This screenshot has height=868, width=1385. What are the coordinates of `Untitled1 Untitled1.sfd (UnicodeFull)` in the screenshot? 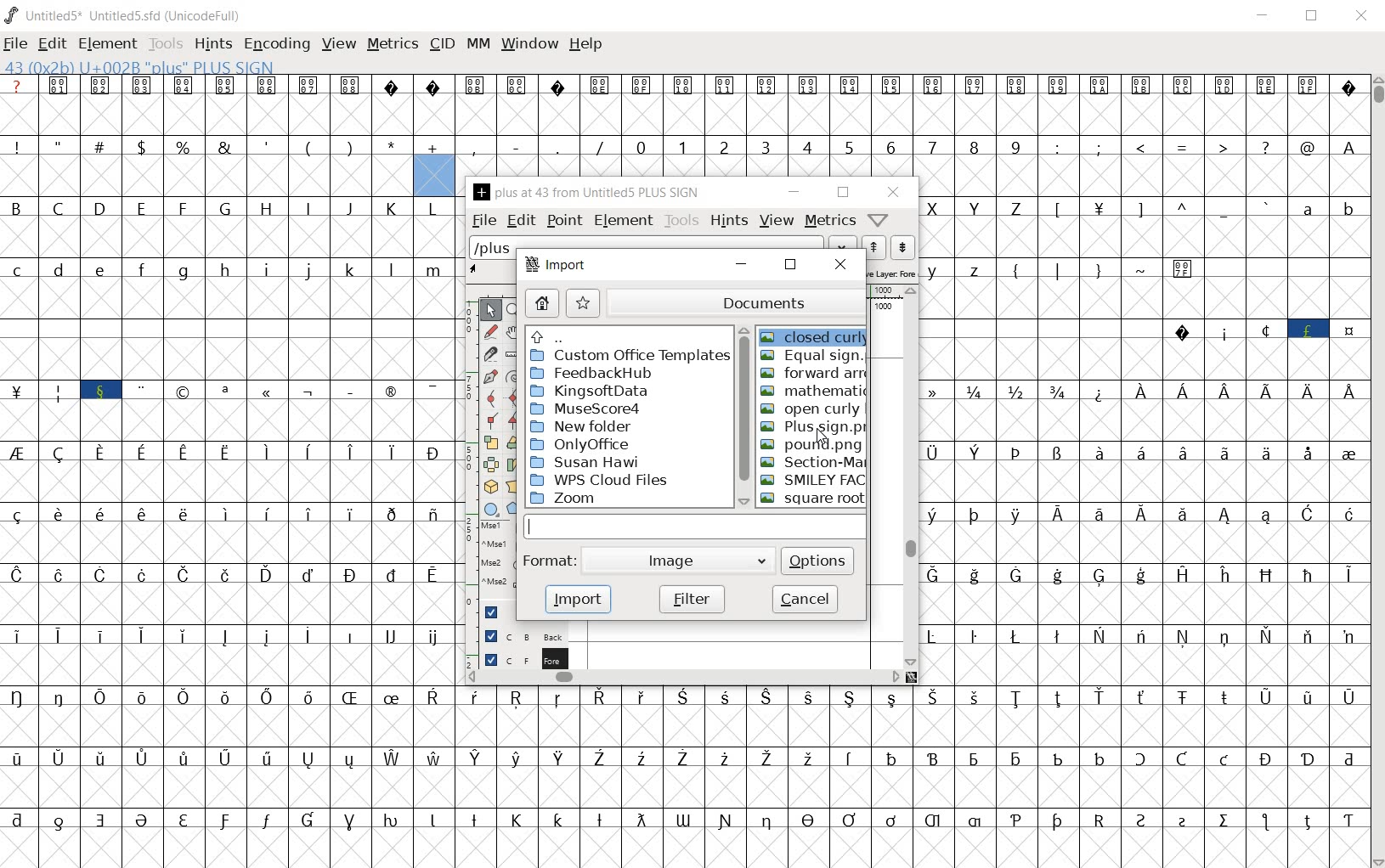 It's located at (127, 15).